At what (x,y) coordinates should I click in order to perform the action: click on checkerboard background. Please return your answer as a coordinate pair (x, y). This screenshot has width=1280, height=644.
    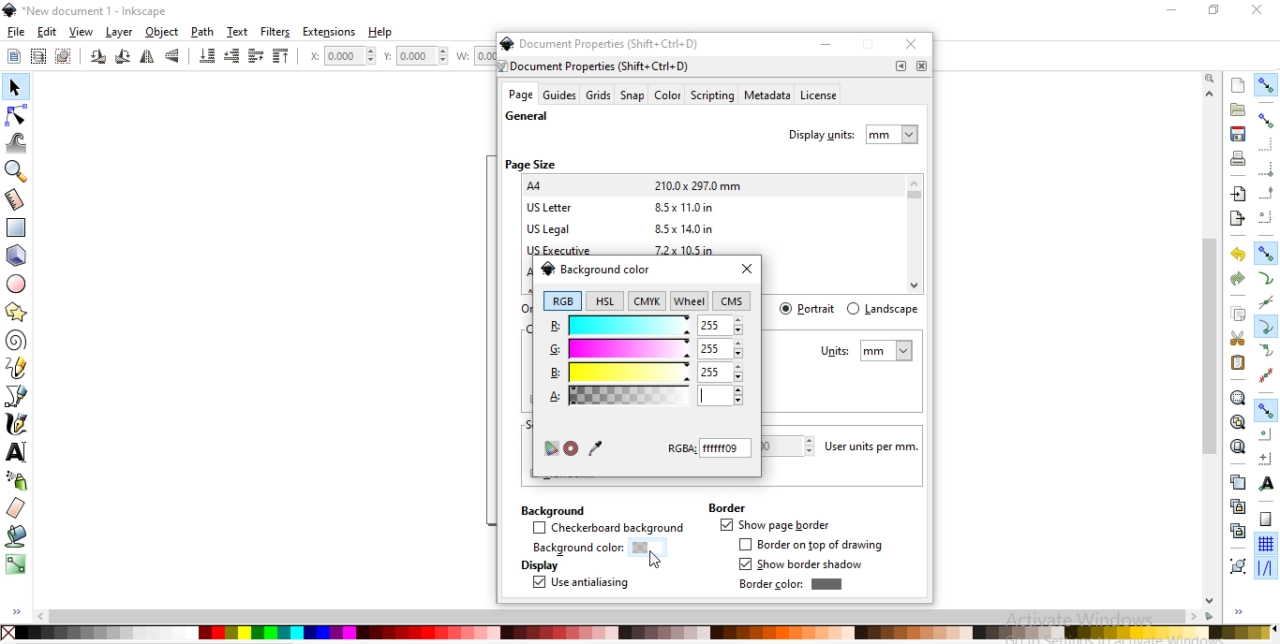
    Looking at the image, I should click on (609, 529).